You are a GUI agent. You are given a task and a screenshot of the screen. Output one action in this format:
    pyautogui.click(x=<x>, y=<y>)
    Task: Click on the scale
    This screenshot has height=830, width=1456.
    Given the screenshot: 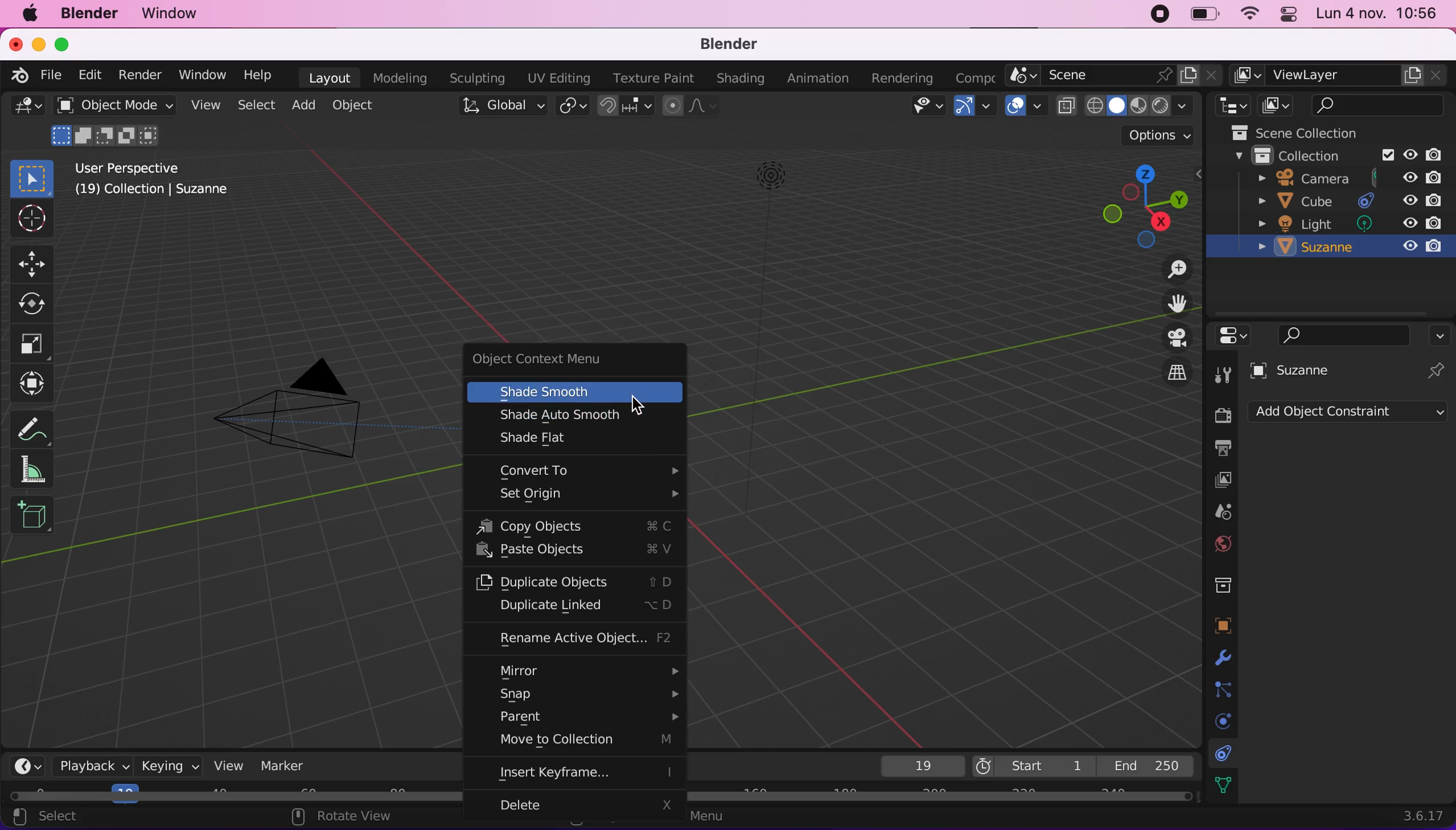 What is the action you would take?
    pyautogui.click(x=38, y=344)
    